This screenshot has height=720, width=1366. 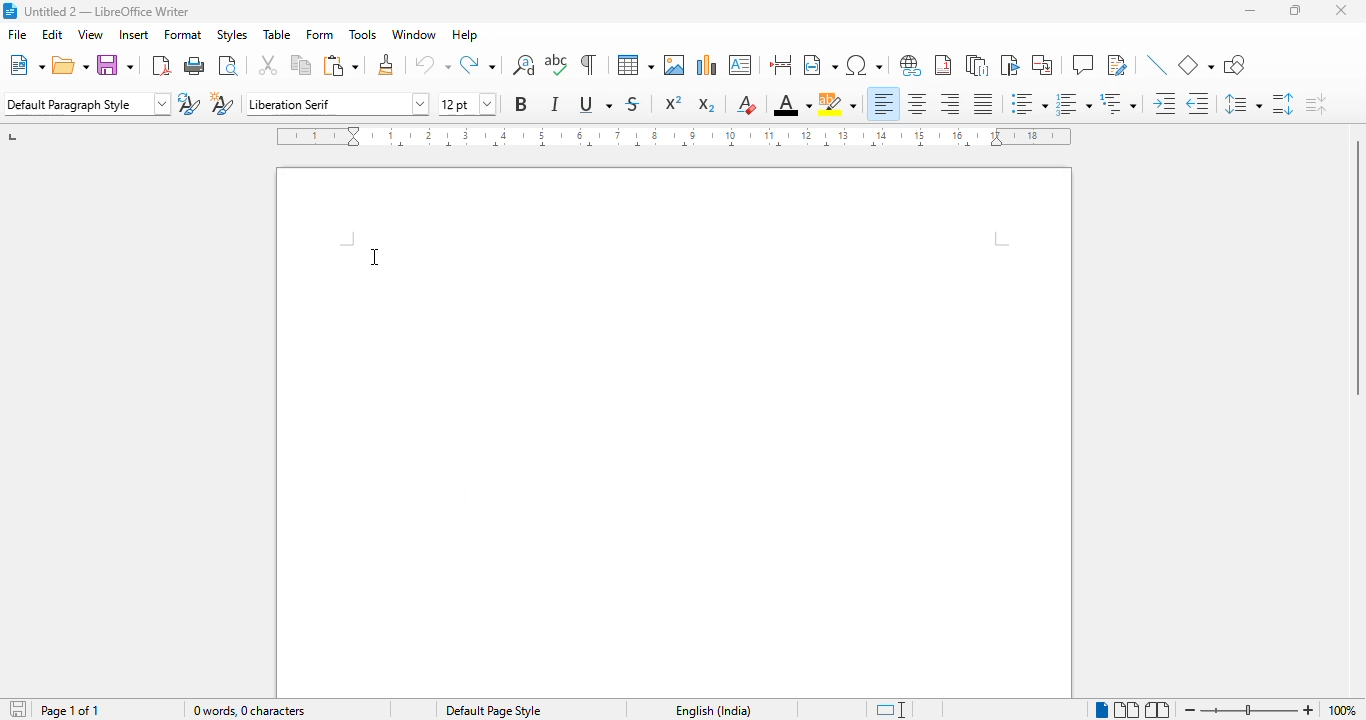 I want to click on edit, so click(x=53, y=34).